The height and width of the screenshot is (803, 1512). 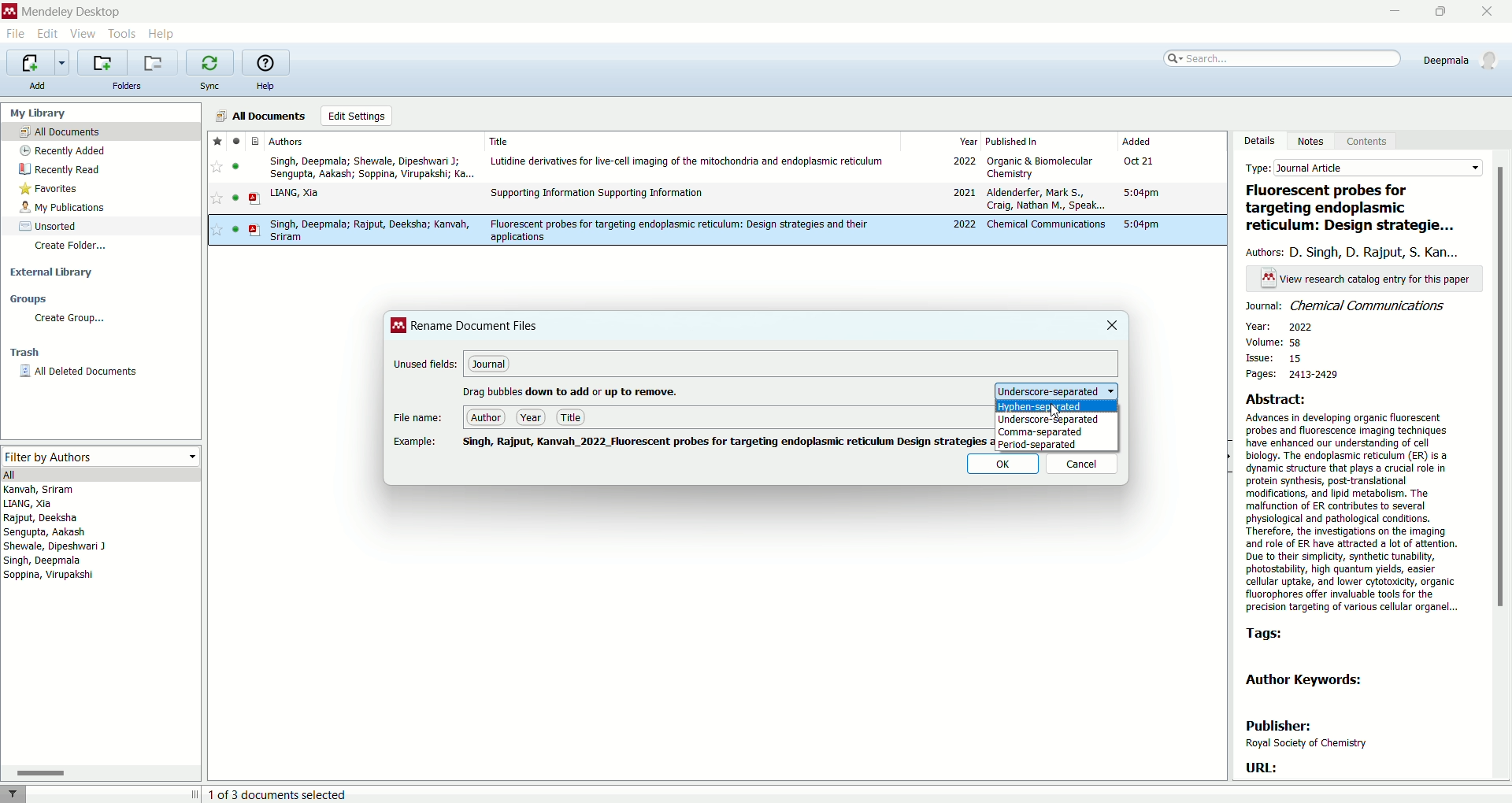 What do you see at coordinates (1059, 408) in the screenshot?
I see `cursor` at bounding box center [1059, 408].